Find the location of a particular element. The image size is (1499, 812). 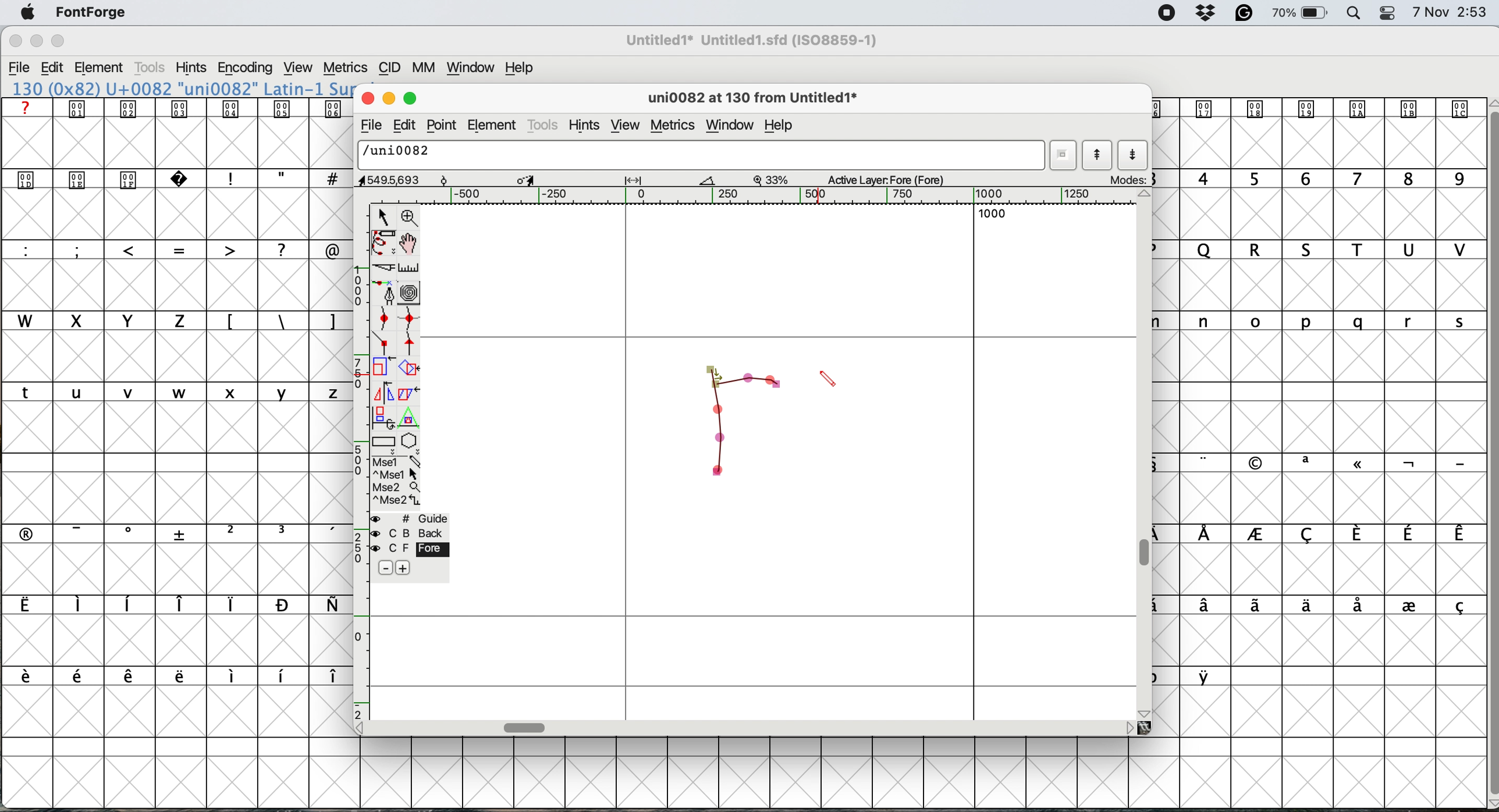

point is located at coordinates (445, 125).